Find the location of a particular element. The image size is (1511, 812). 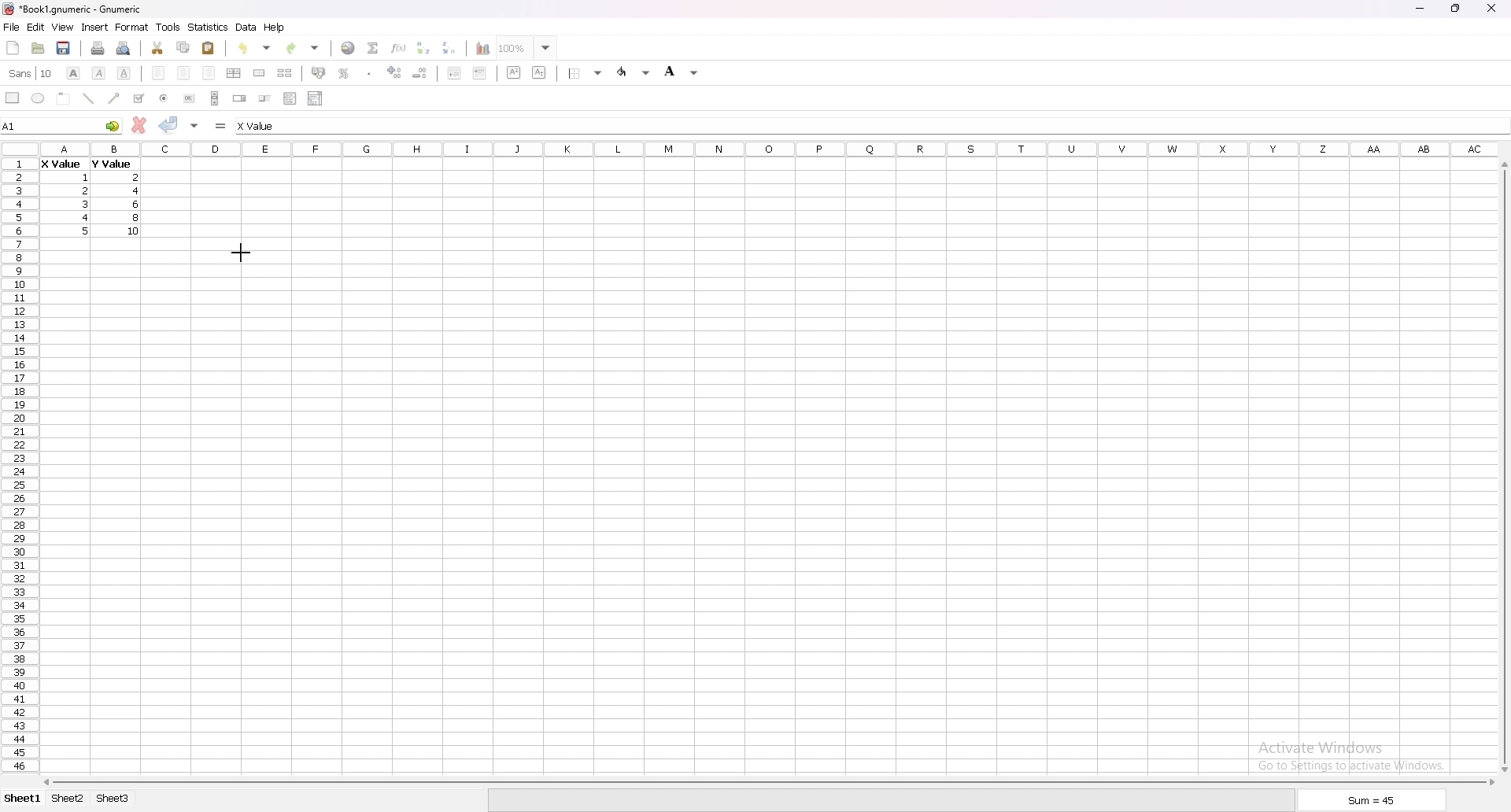

right align is located at coordinates (209, 73).